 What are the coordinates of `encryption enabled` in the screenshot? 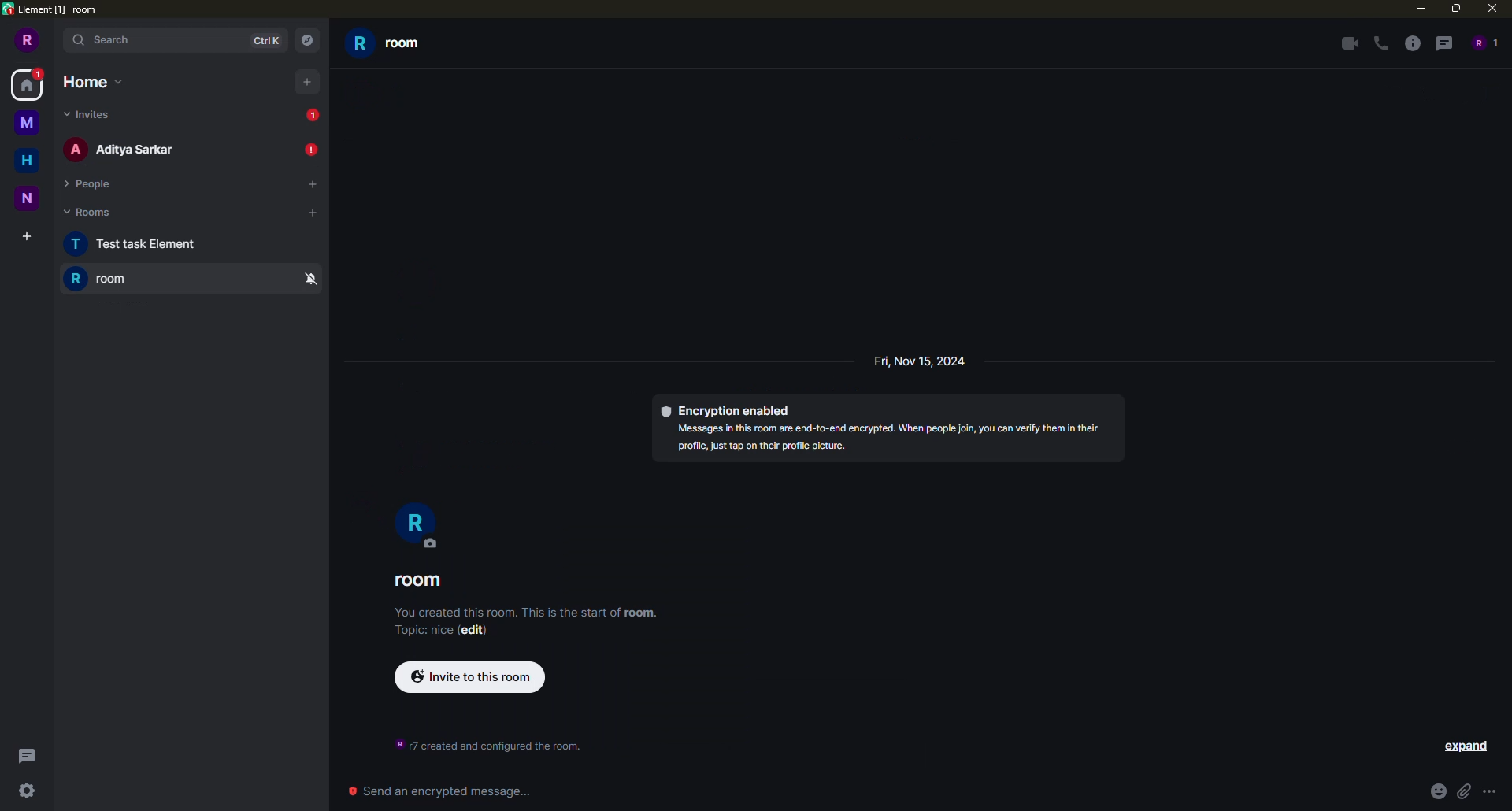 It's located at (889, 427).